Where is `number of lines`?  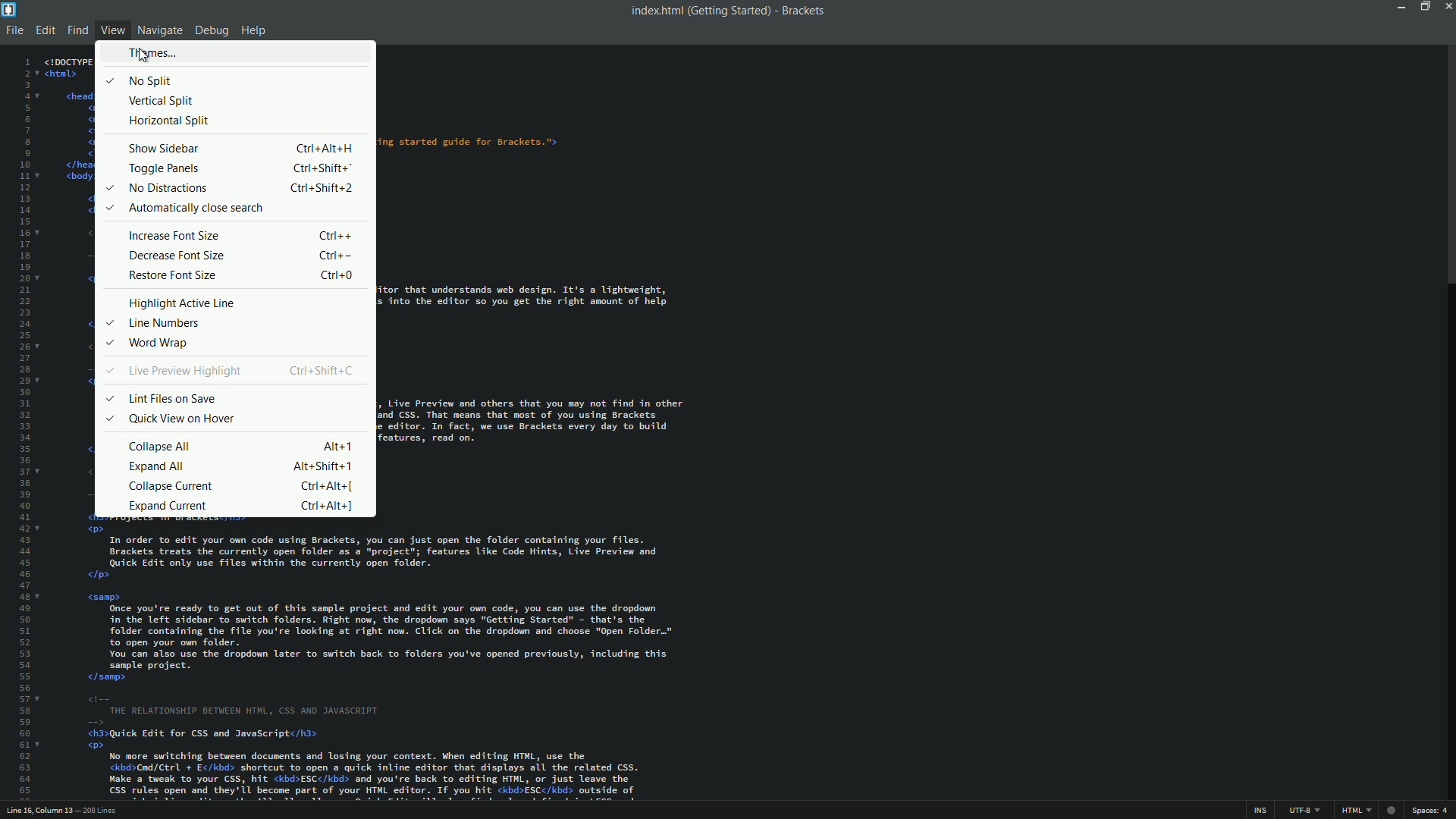
number of lines is located at coordinates (102, 812).